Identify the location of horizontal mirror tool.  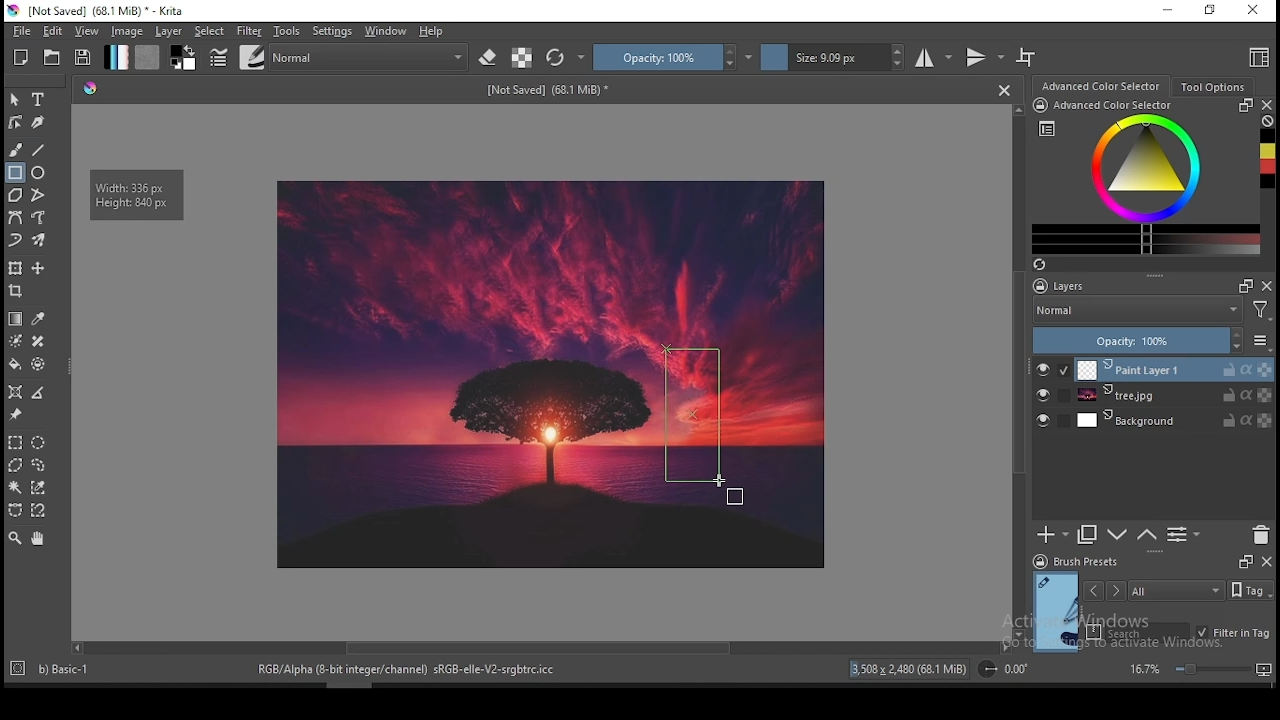
(935, 57).